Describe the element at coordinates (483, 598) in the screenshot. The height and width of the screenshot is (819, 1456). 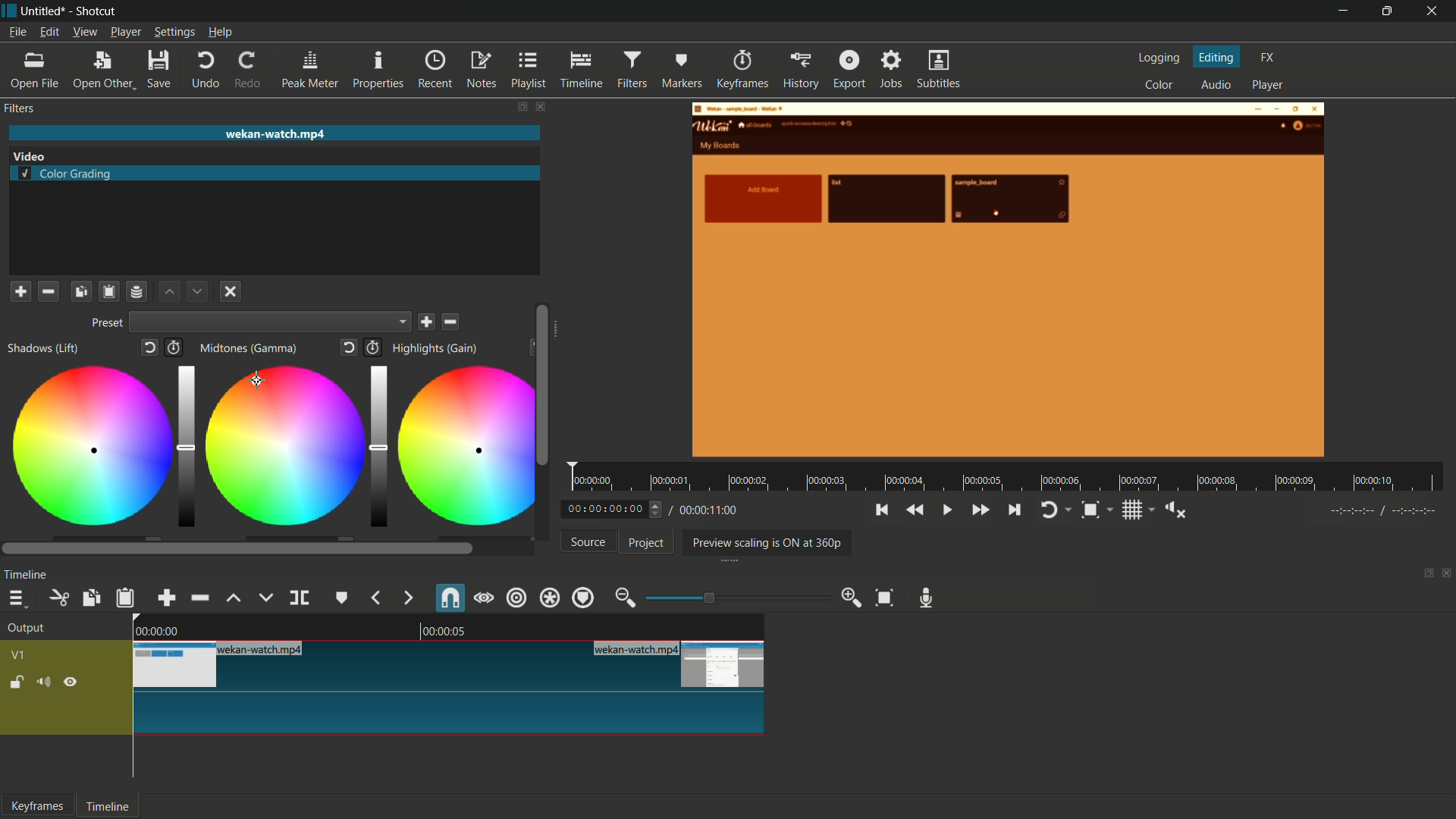
I see `scrub while dragging` at that location.